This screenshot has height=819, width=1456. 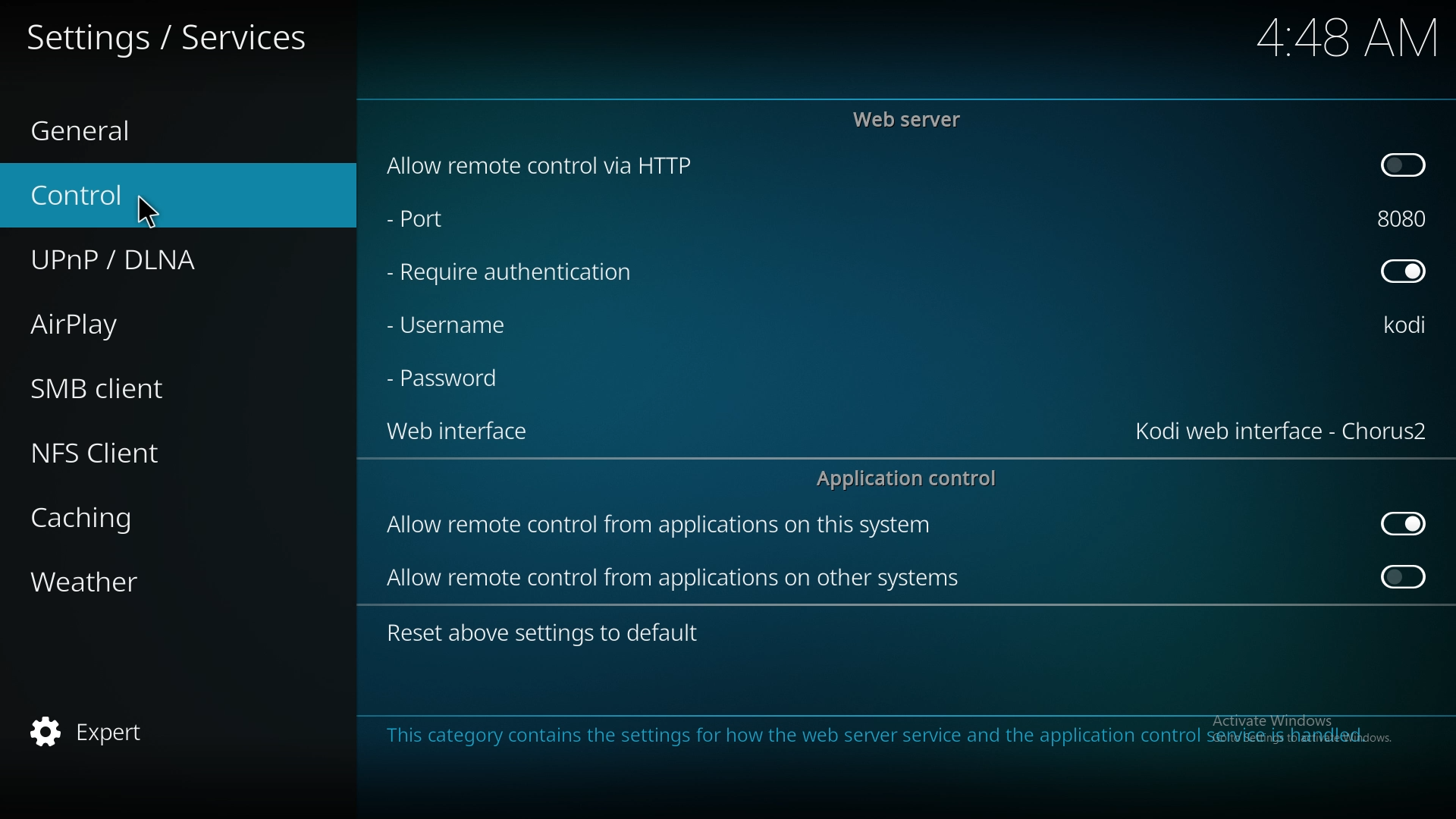 What do you see at coordinates (1407, 271) in the screenshot?
I see `off` at bounding box center [1407, 271].